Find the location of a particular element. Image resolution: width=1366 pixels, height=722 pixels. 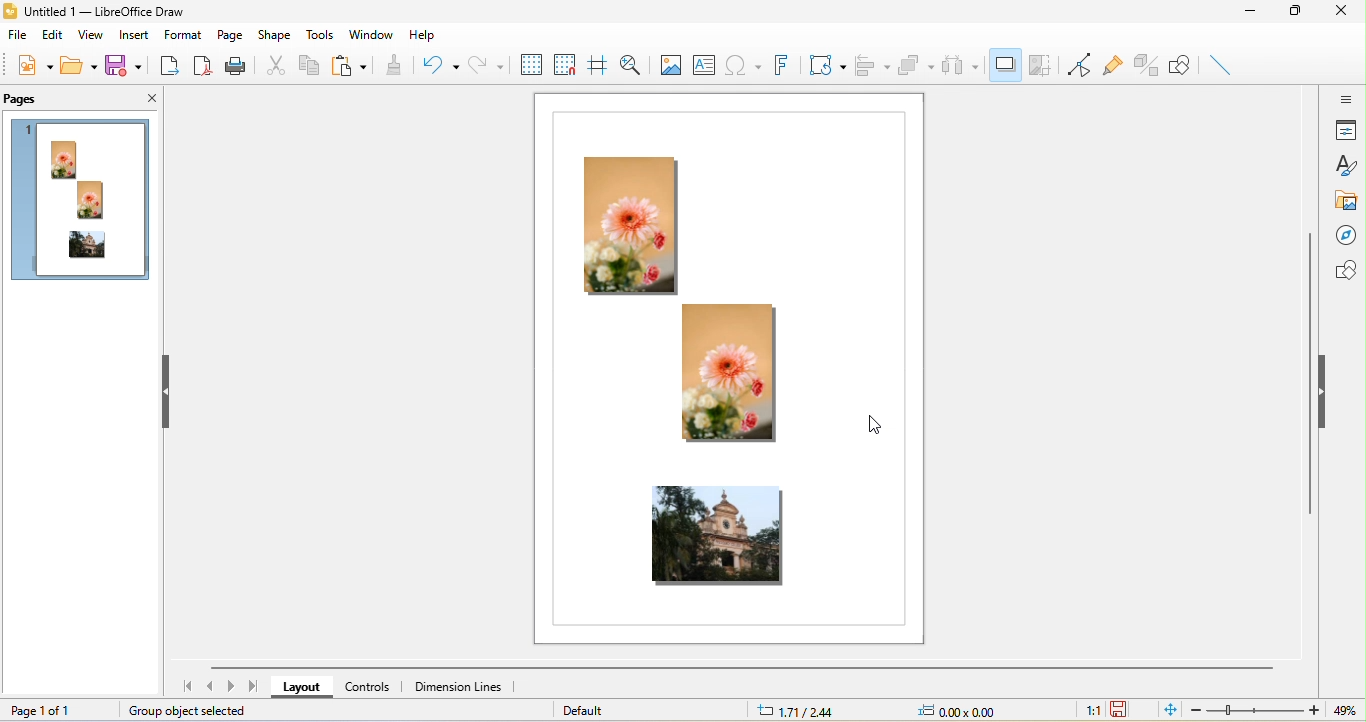

49% is located at coordinates (1342, 711).